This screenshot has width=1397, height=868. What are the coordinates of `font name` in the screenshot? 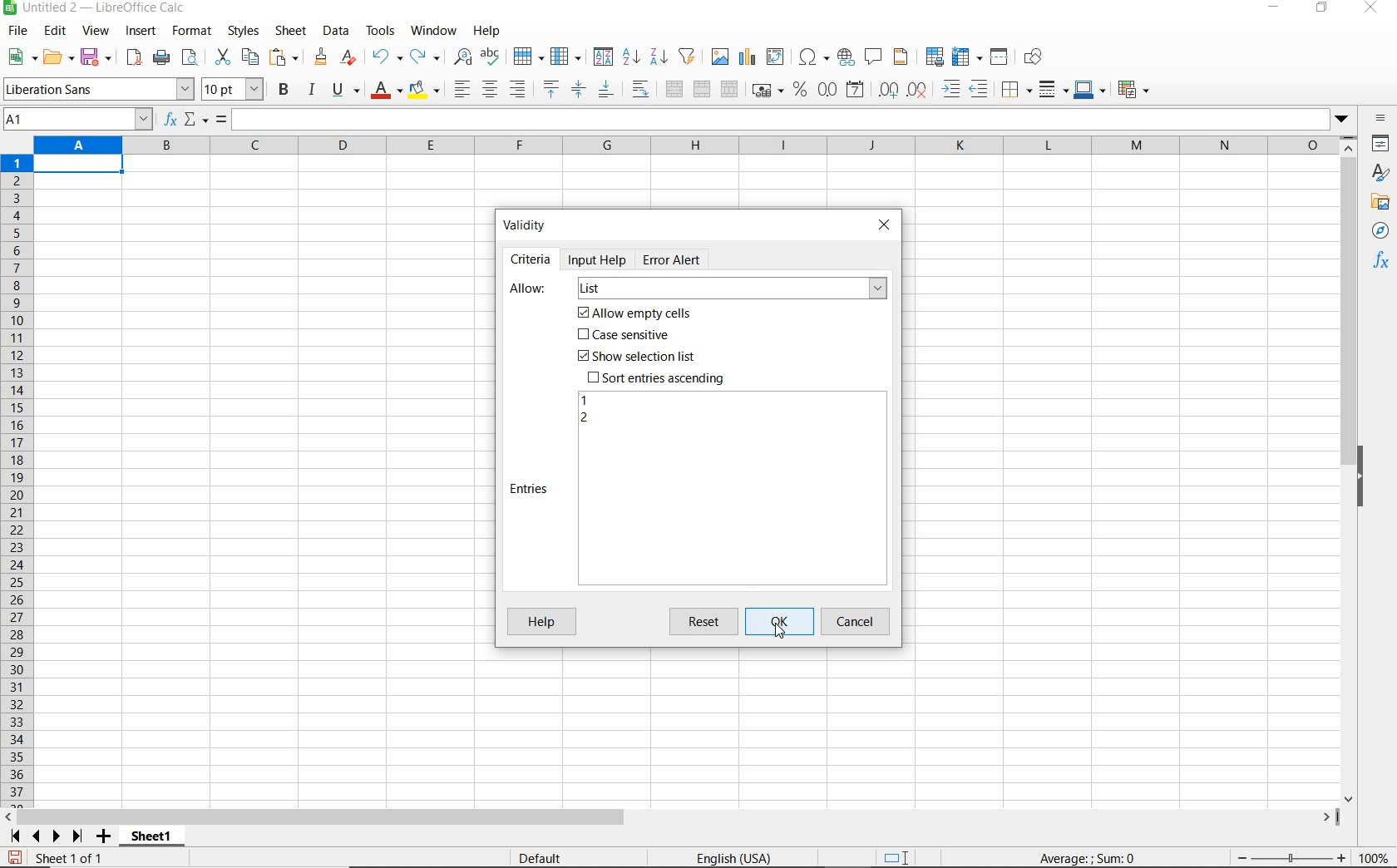 It's located at (98, 89).